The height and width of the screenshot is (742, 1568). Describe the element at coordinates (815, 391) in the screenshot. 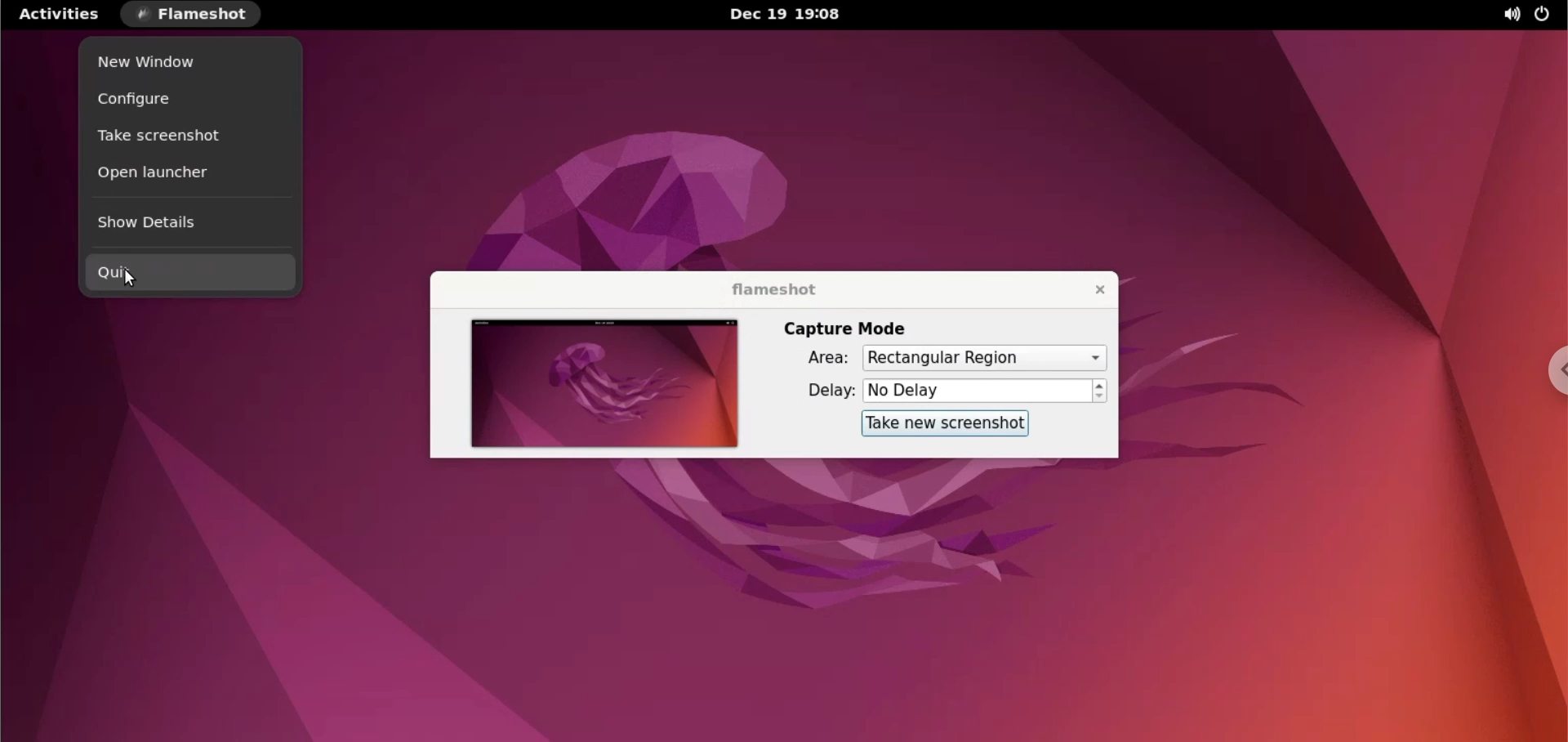

I see `delay:` at that location.